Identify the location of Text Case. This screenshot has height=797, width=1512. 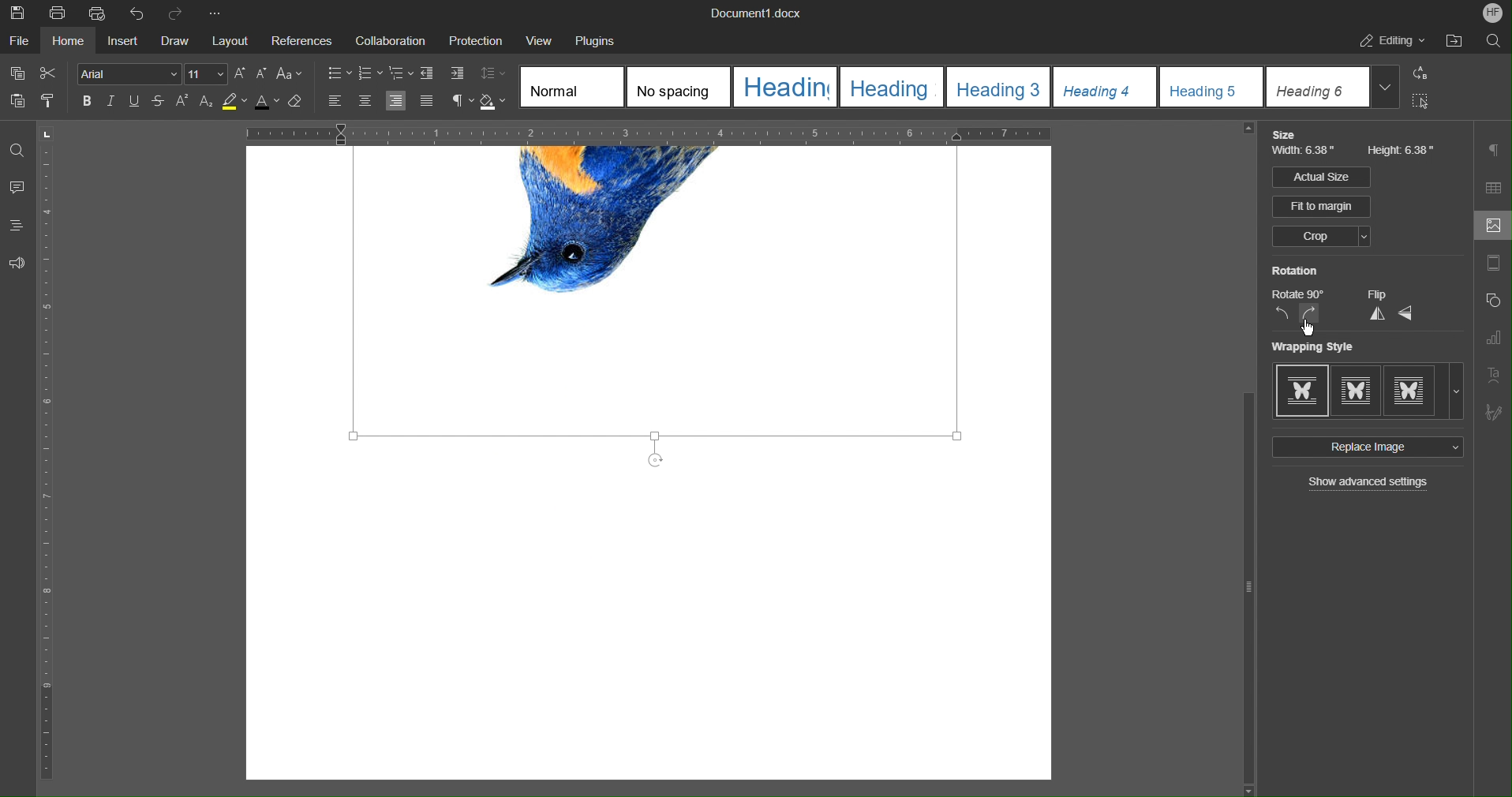
(289, 75).